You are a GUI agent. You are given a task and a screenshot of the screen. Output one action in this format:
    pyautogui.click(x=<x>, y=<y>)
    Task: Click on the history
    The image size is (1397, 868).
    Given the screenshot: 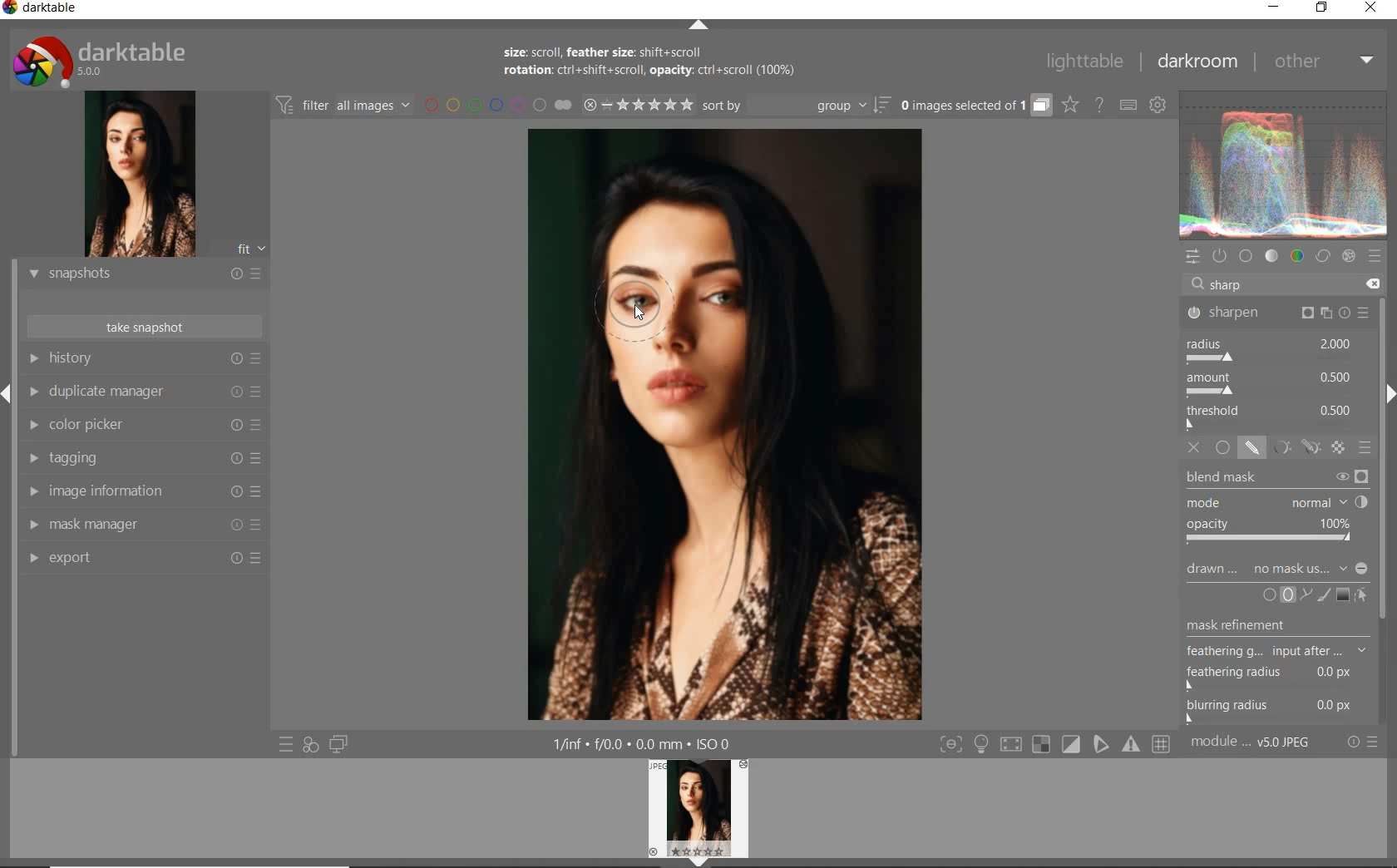 What is the action you would take?
    pyautogui.click(x=146, y=358)
    